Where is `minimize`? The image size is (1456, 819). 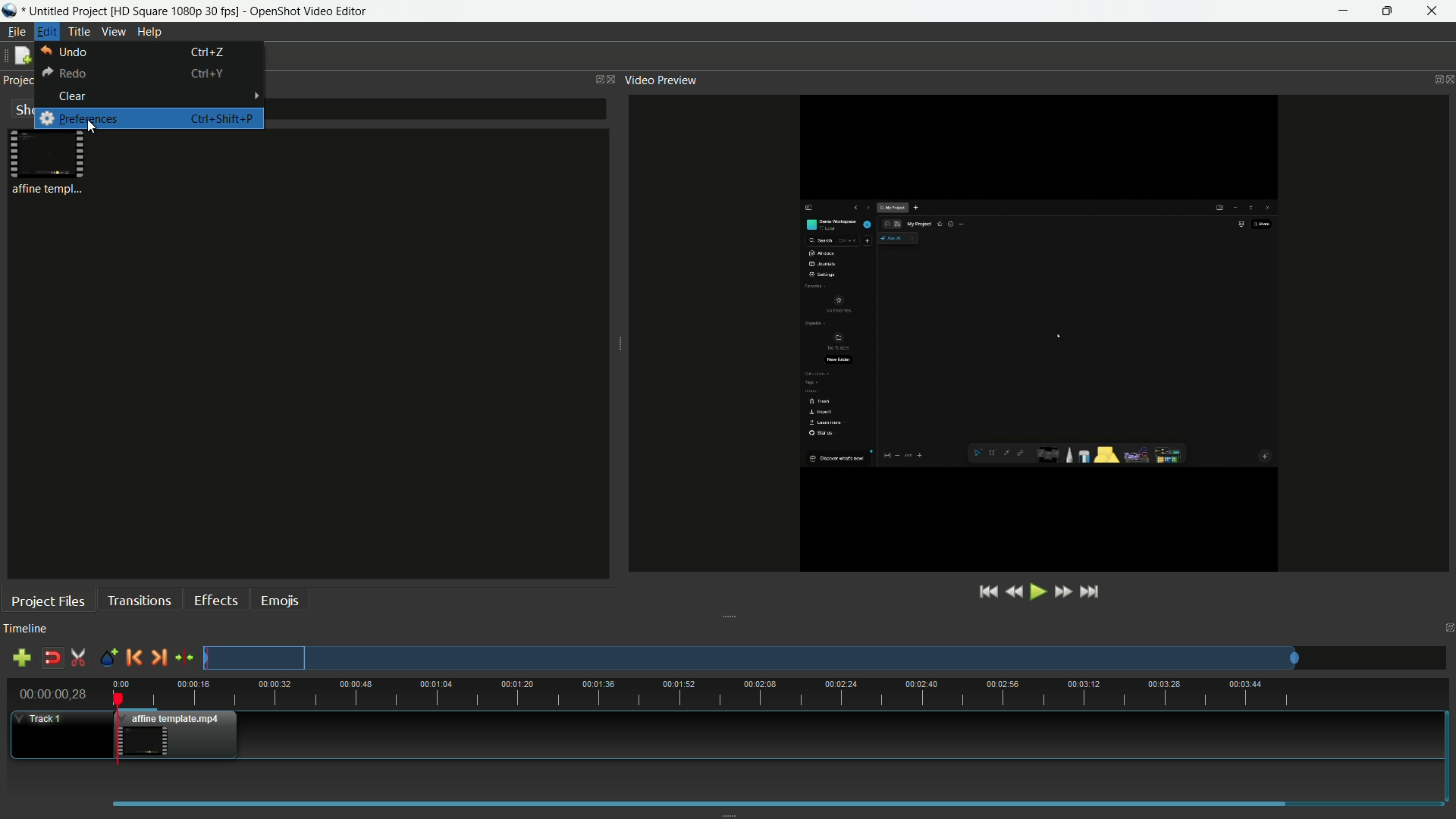
minimize is located at coordinates (1339, 11).